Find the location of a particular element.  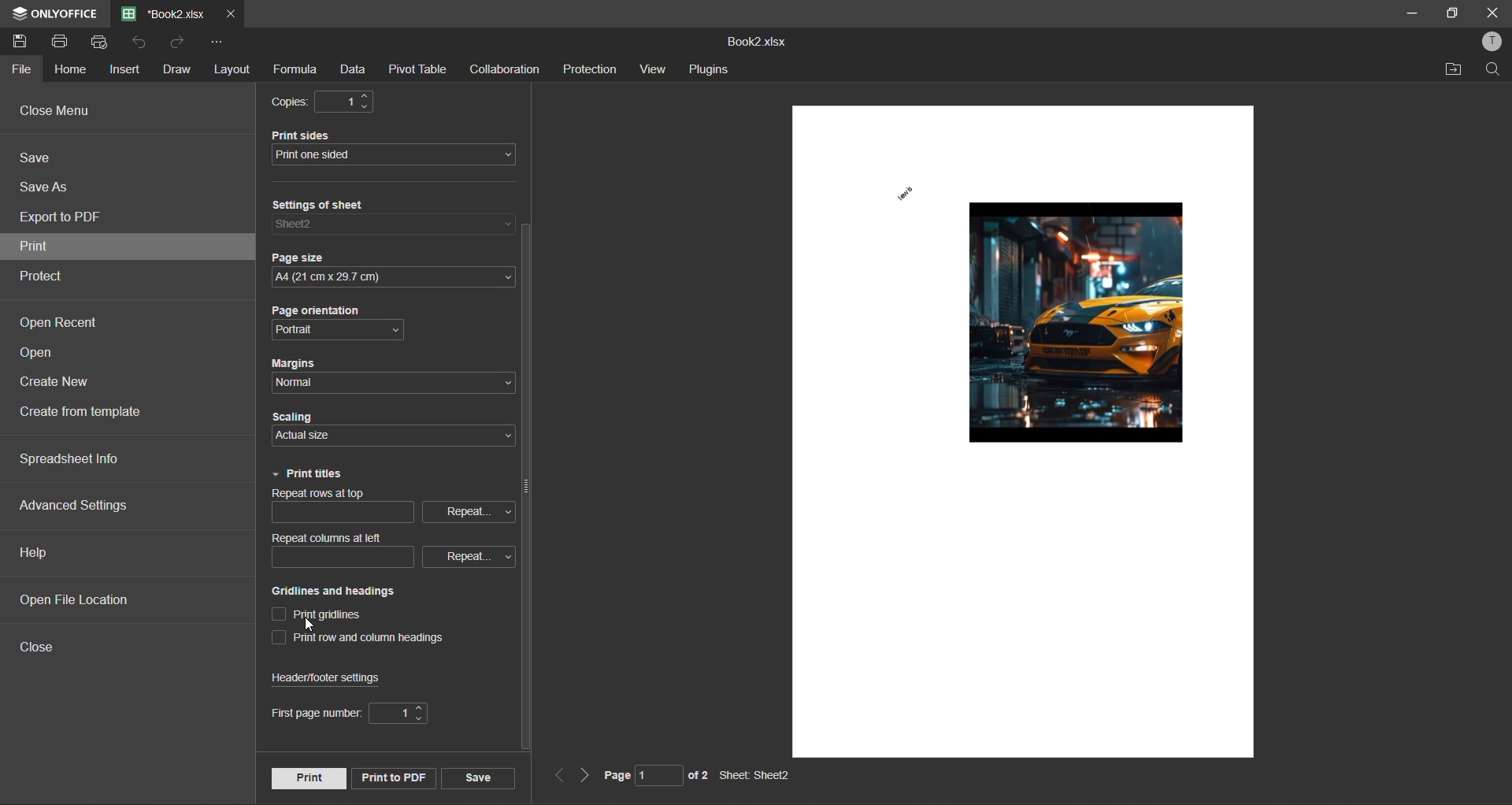

print row and column headings is located at coordinates (355, 638).